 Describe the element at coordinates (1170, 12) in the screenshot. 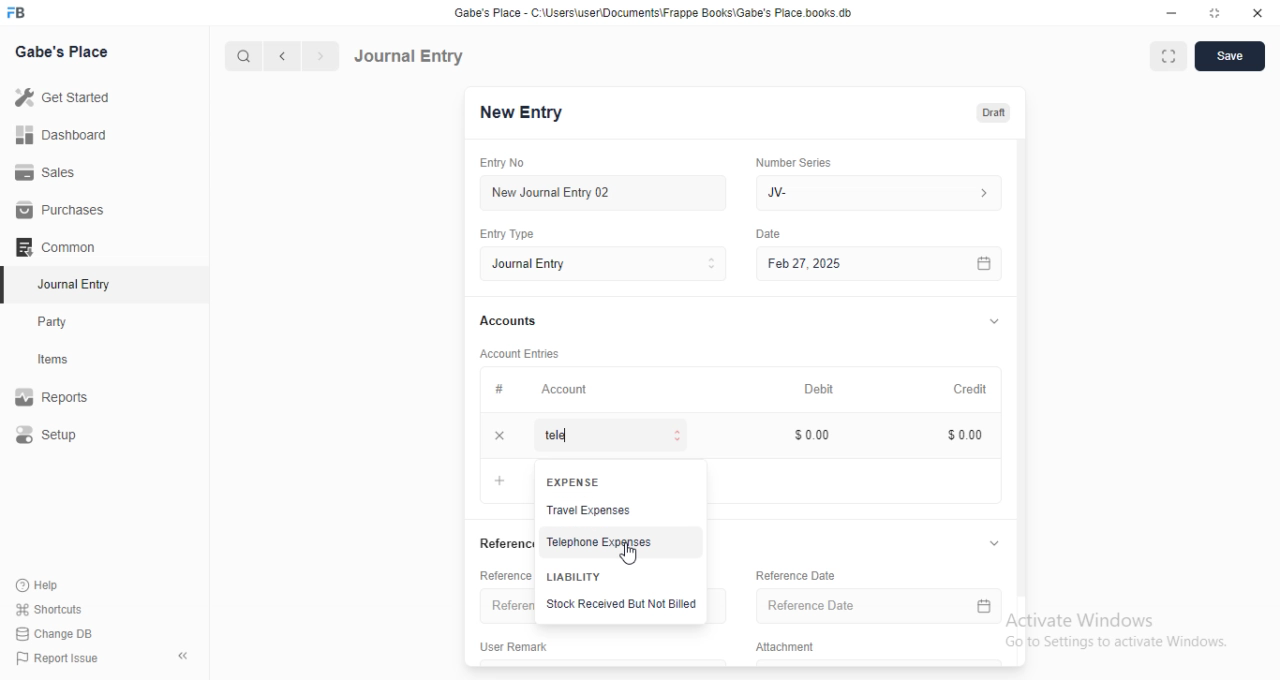

I see `Minimize` at that location.